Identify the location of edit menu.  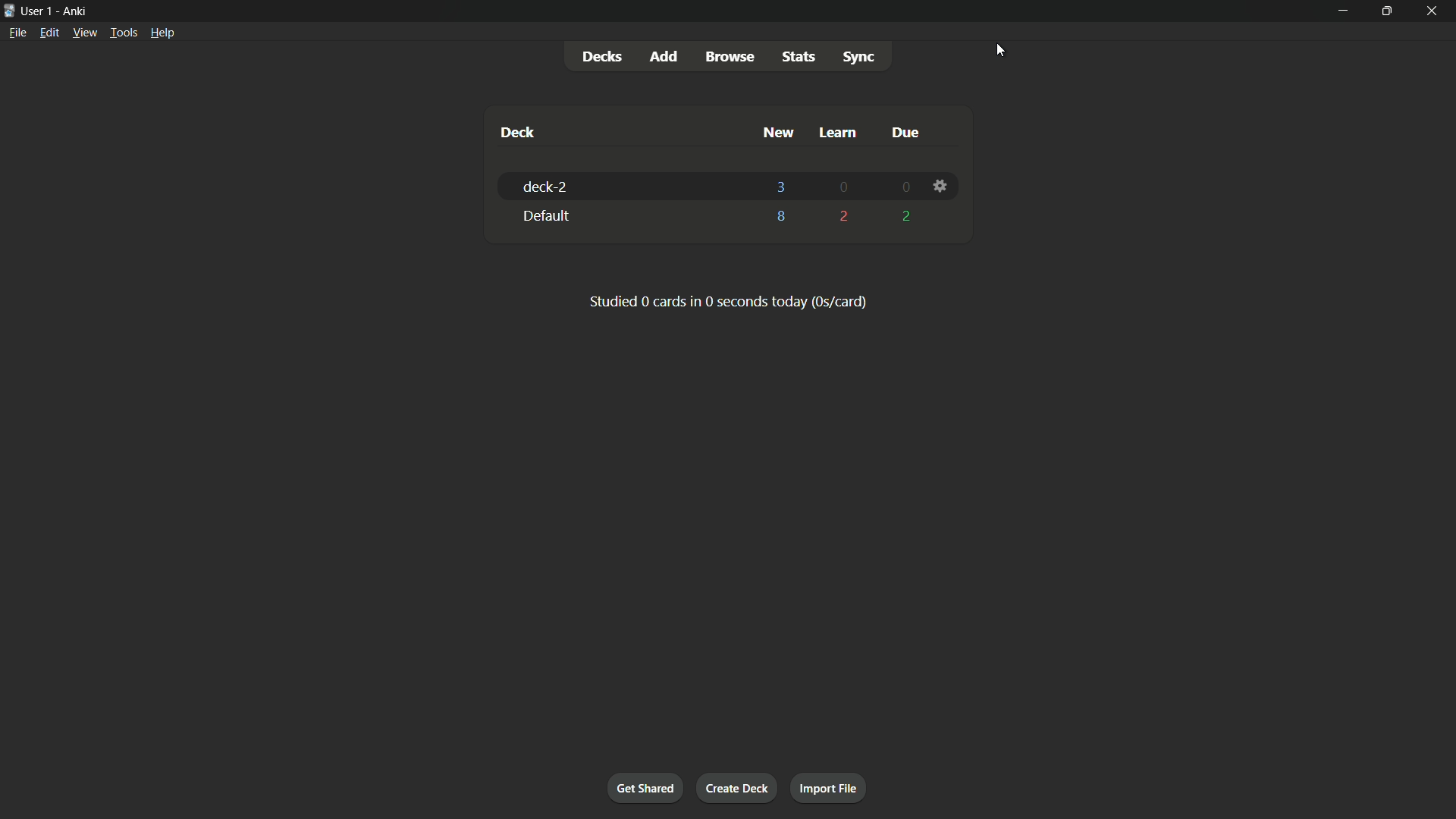
(49, 33).